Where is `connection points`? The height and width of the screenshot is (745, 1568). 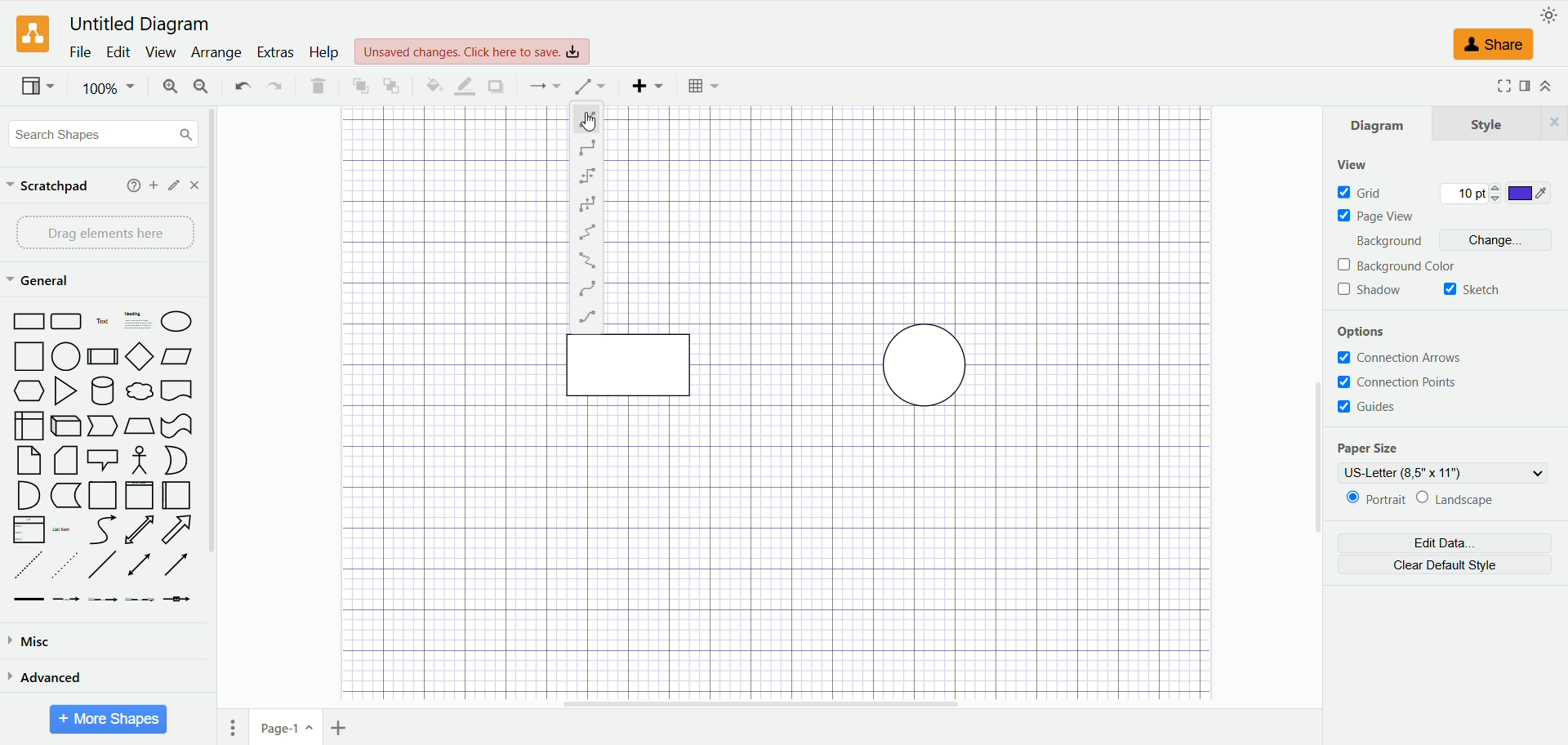
connection points is located at coordinates (1396, 381).